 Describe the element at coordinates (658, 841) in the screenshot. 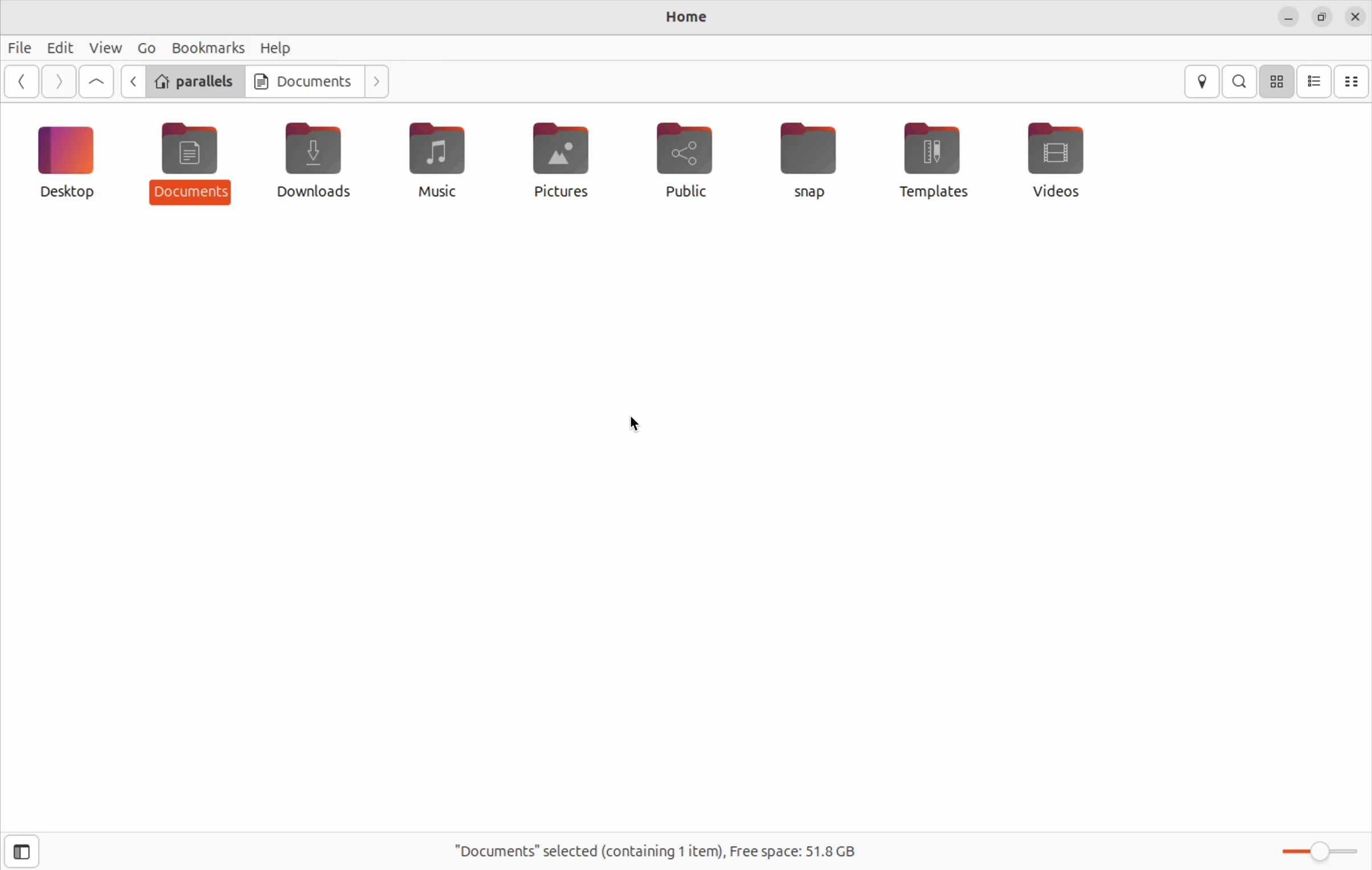

I see `"Documents" selected (containing 1 item) Free space: 51.8 GB` at that location.